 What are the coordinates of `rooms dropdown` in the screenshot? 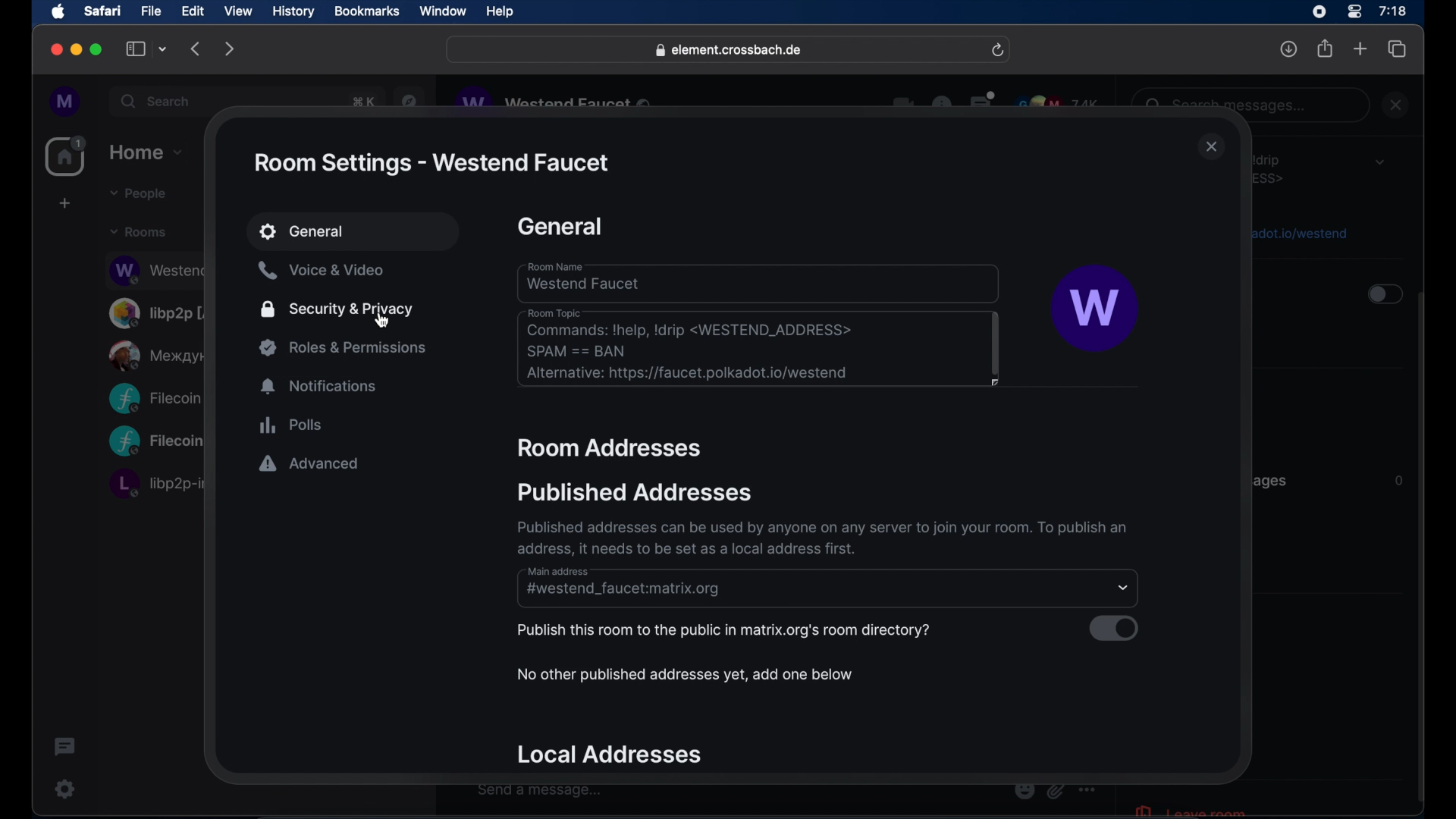 It's located at (139, 232).